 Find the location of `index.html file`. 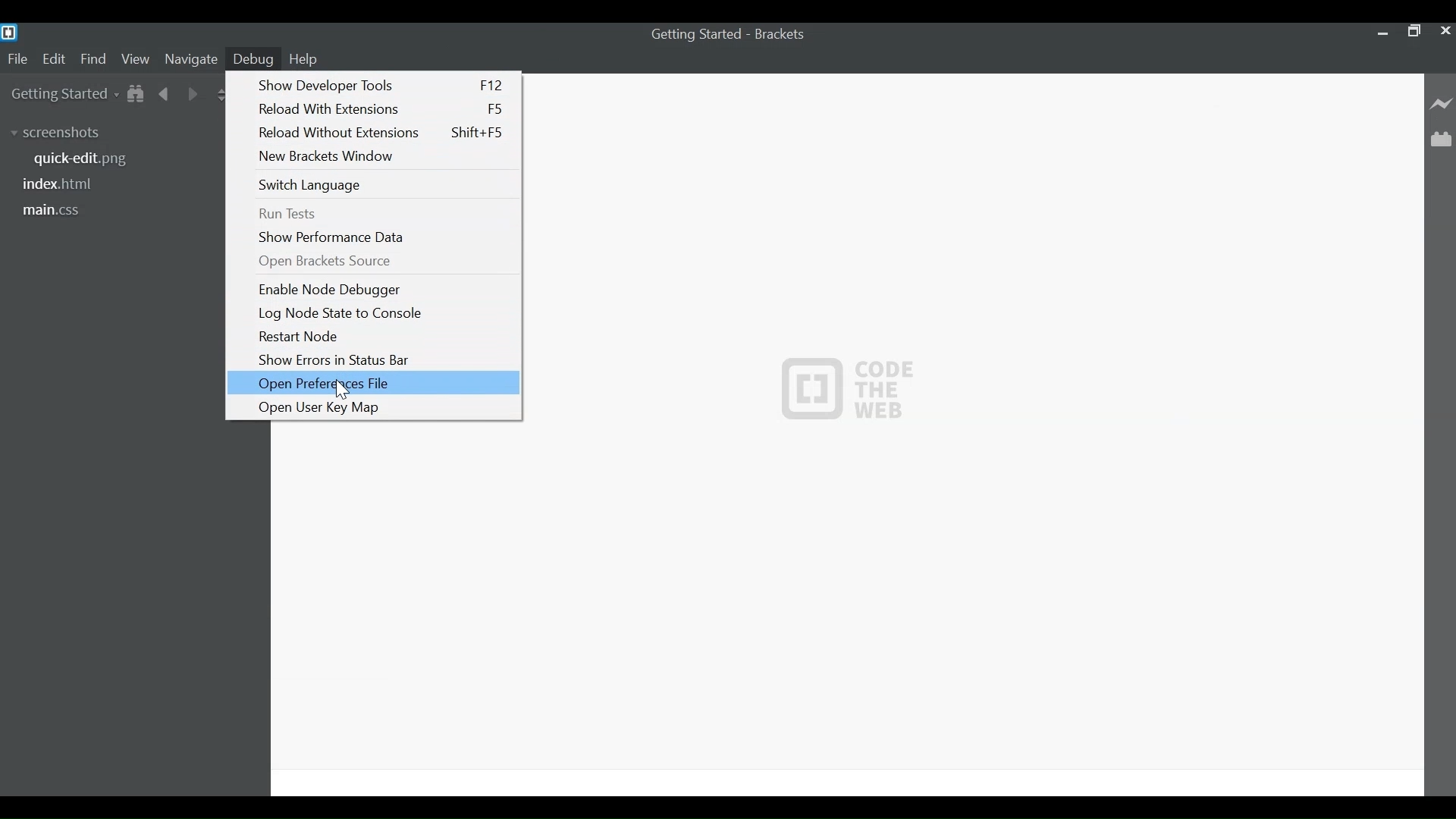

index.html file is located at coordinates (62, 185).